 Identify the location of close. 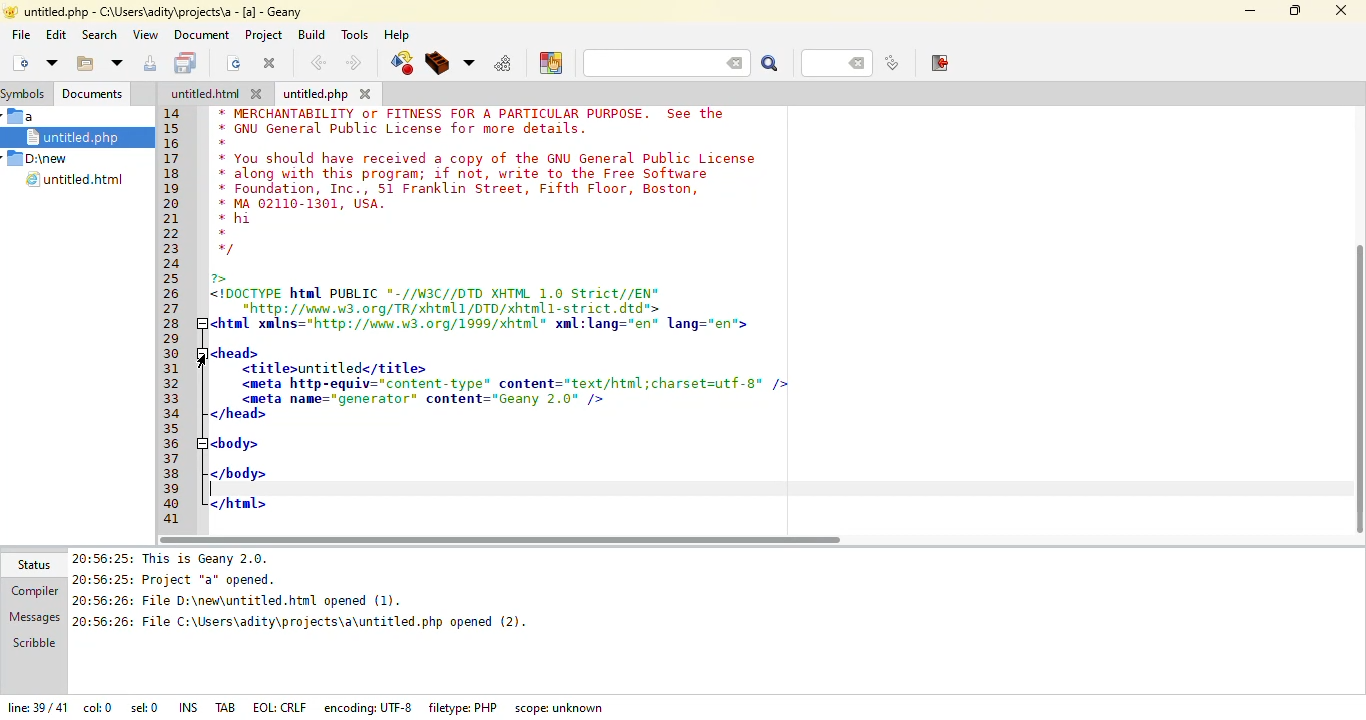
(255, 94).